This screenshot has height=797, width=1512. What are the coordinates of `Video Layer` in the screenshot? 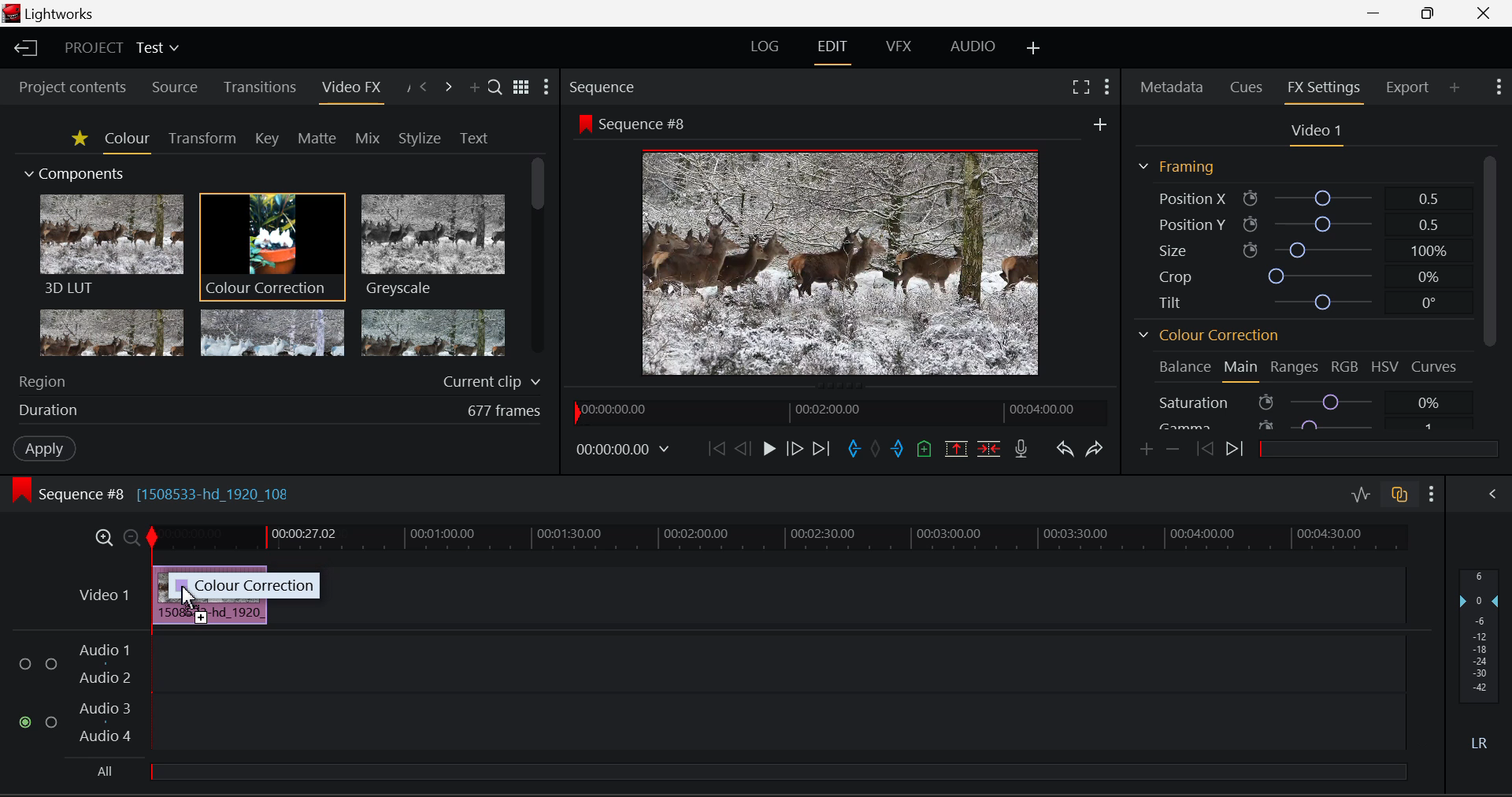 It's located at (105, 595).